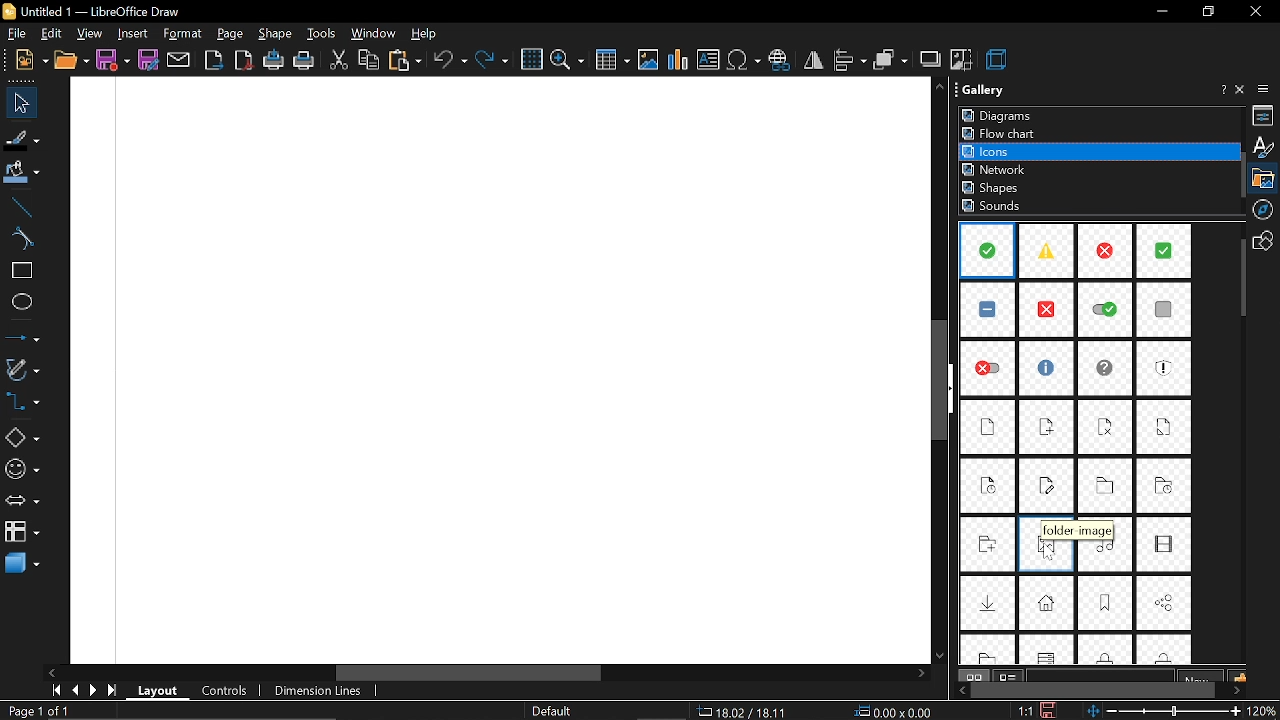 The width and height of the screenshot is (1280, 720). Describe the element at coordinates (112, 60) in the screenshot. I see `save` at that location.